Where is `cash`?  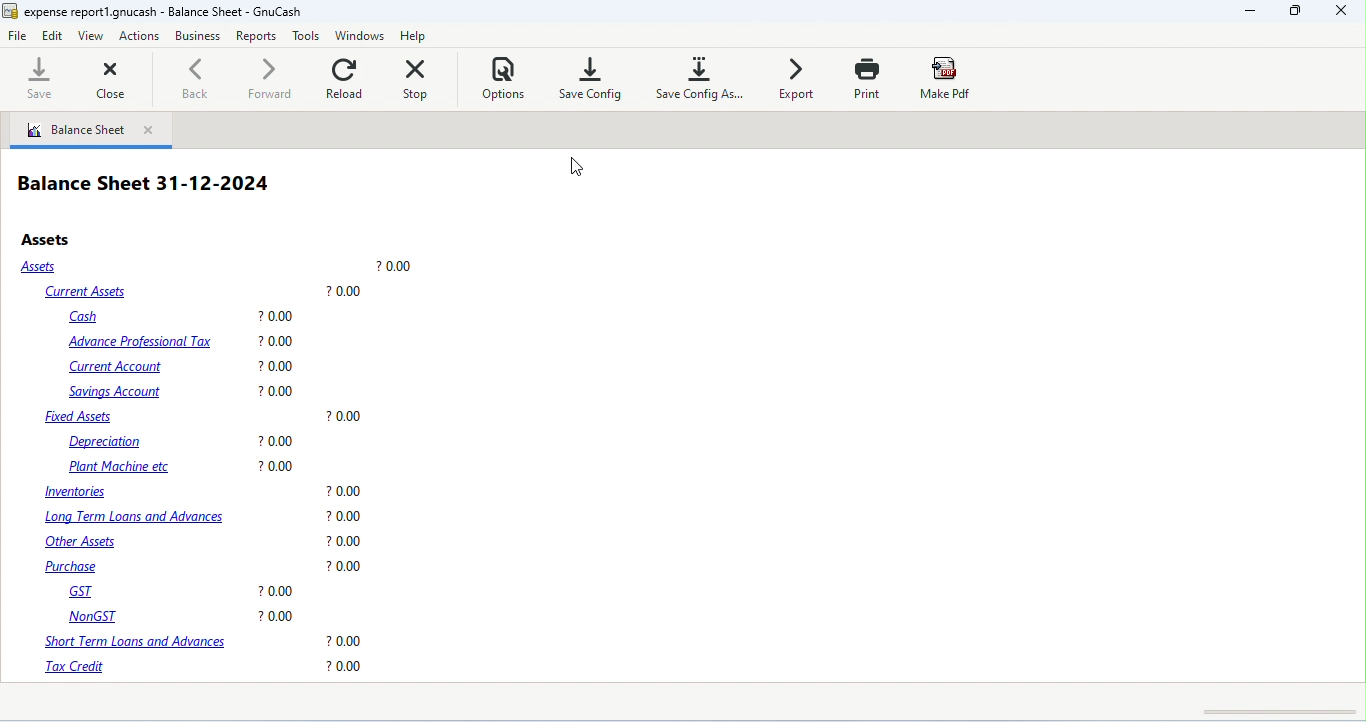 cash is located at coordinates (184, 317).